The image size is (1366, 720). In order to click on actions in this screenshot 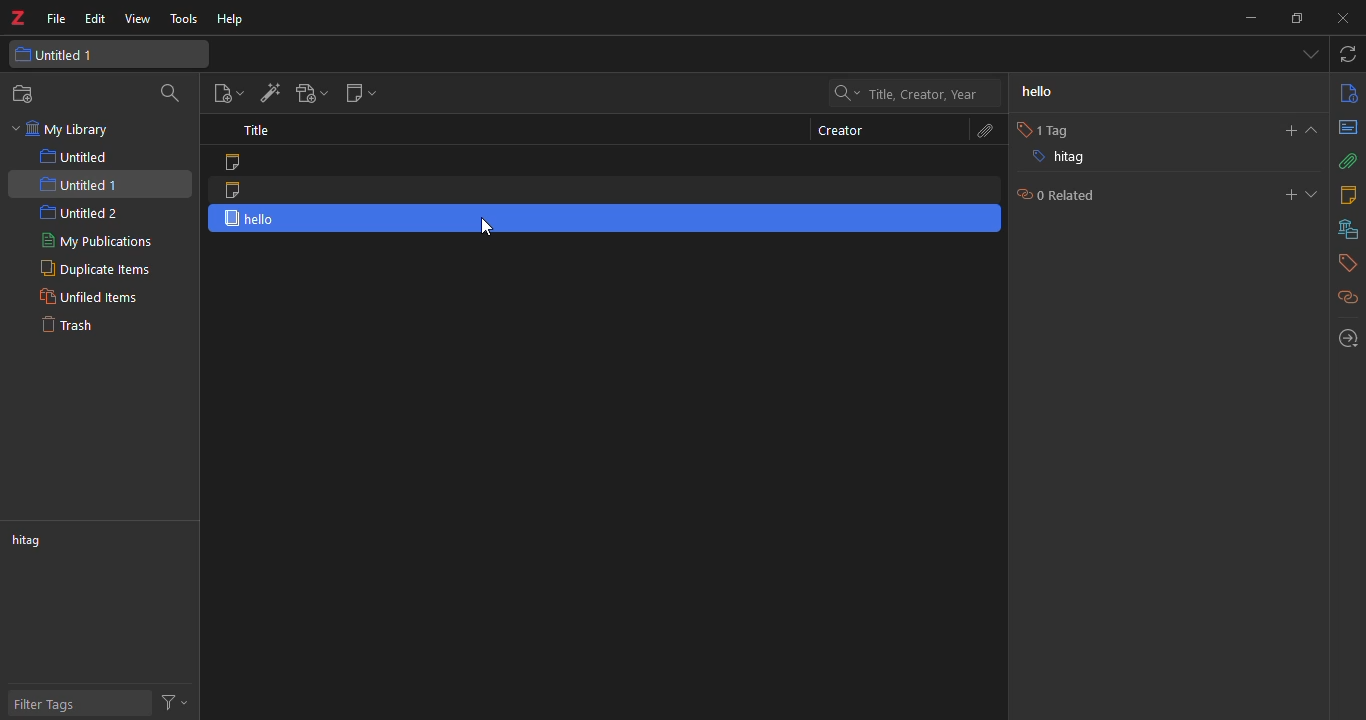, I will do `click(174, 700)`.